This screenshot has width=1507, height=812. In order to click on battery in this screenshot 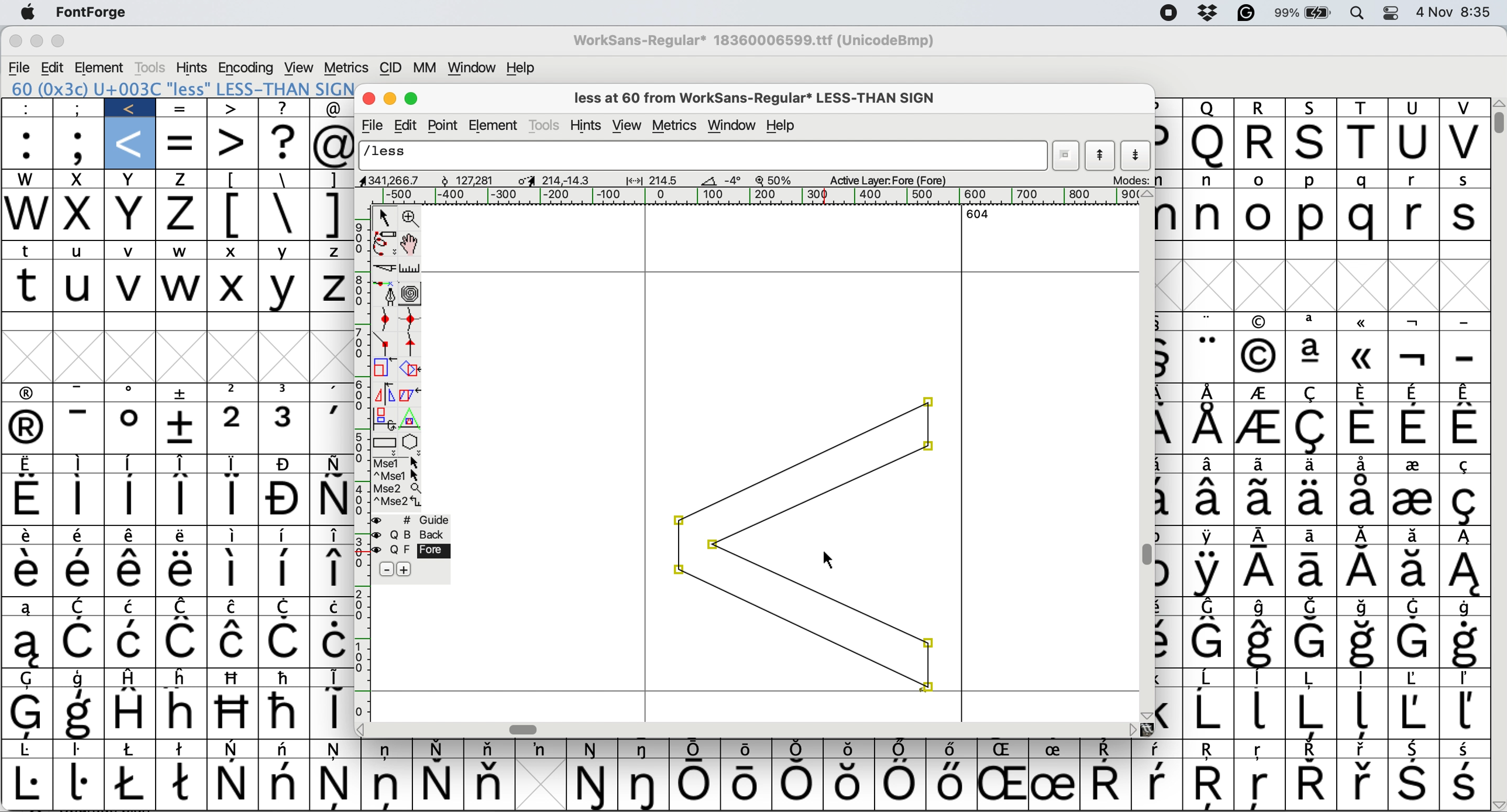, I will do `click(1303, 13)`.